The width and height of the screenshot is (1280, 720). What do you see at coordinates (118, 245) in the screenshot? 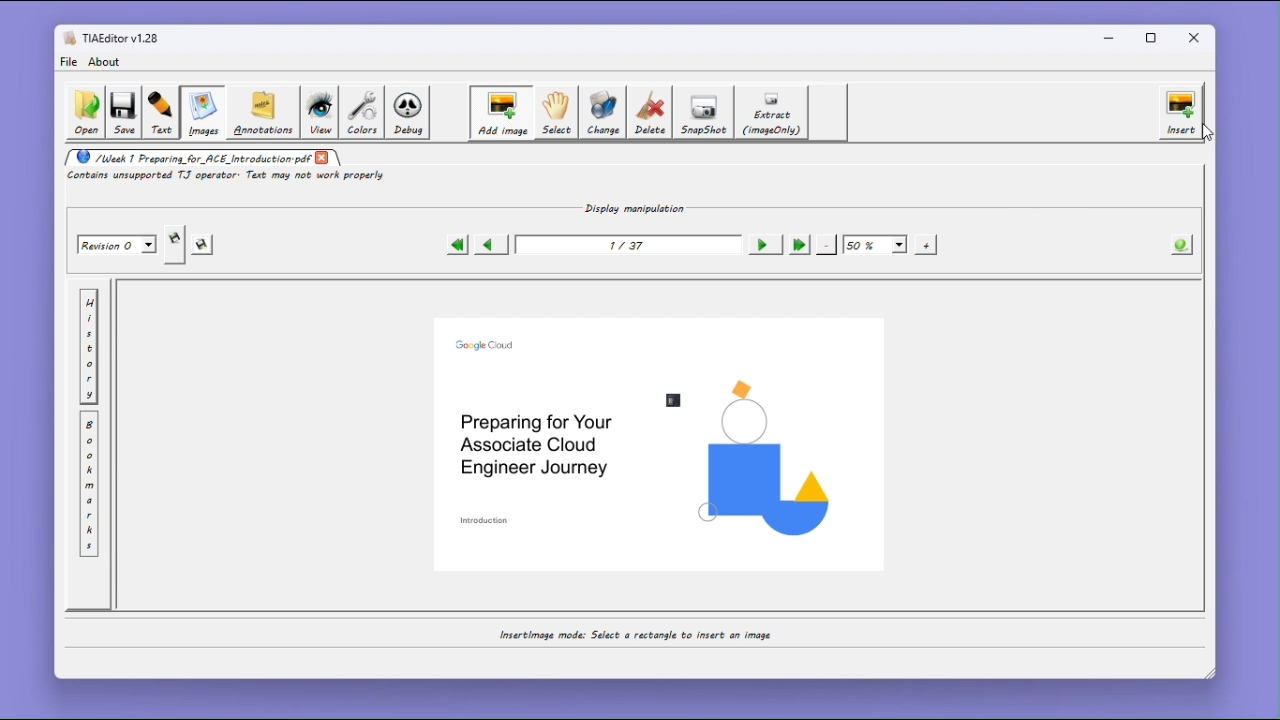
I see `Revision 0` at bounding box center [118, 245].